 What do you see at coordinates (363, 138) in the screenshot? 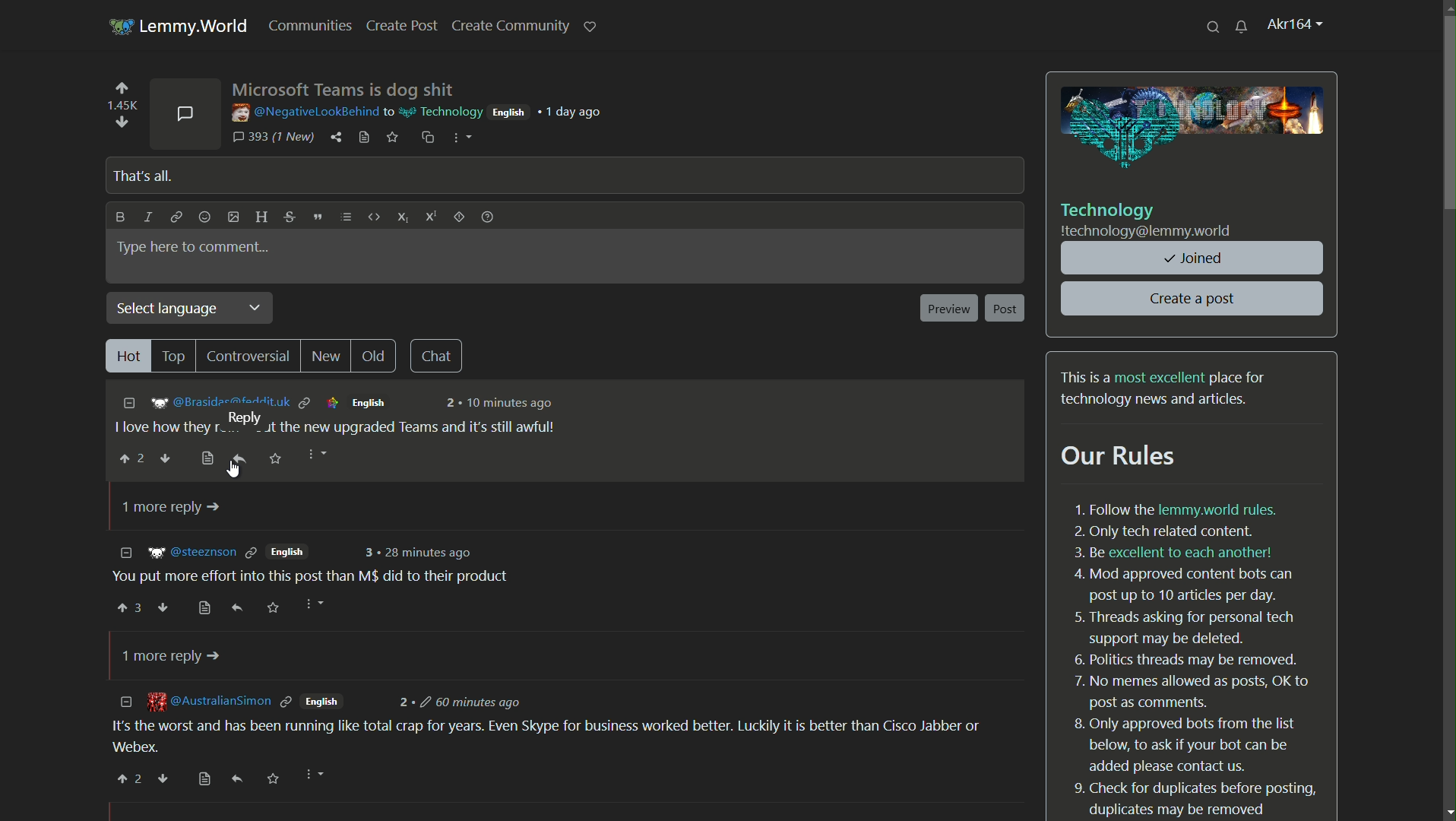
I see `view source` at bounding box center [363, 138].